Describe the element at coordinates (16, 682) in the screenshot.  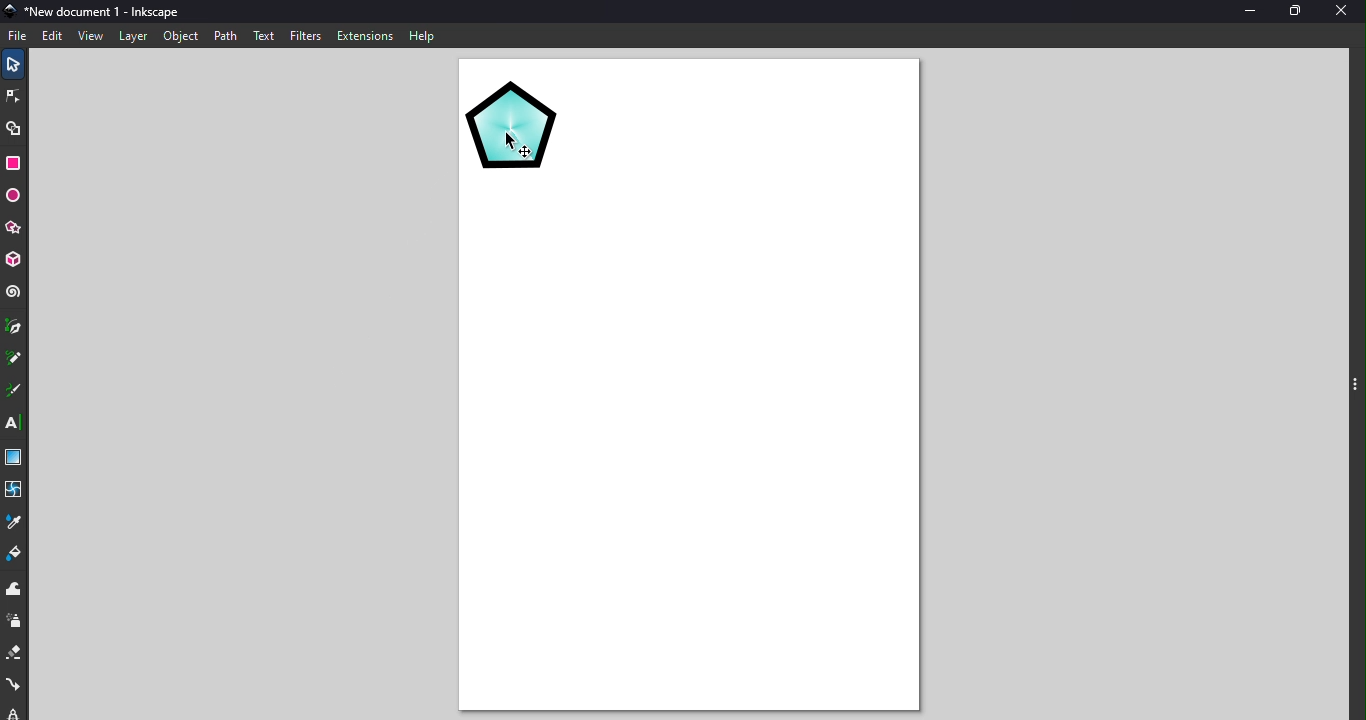
I see `Connector tool` at that location.